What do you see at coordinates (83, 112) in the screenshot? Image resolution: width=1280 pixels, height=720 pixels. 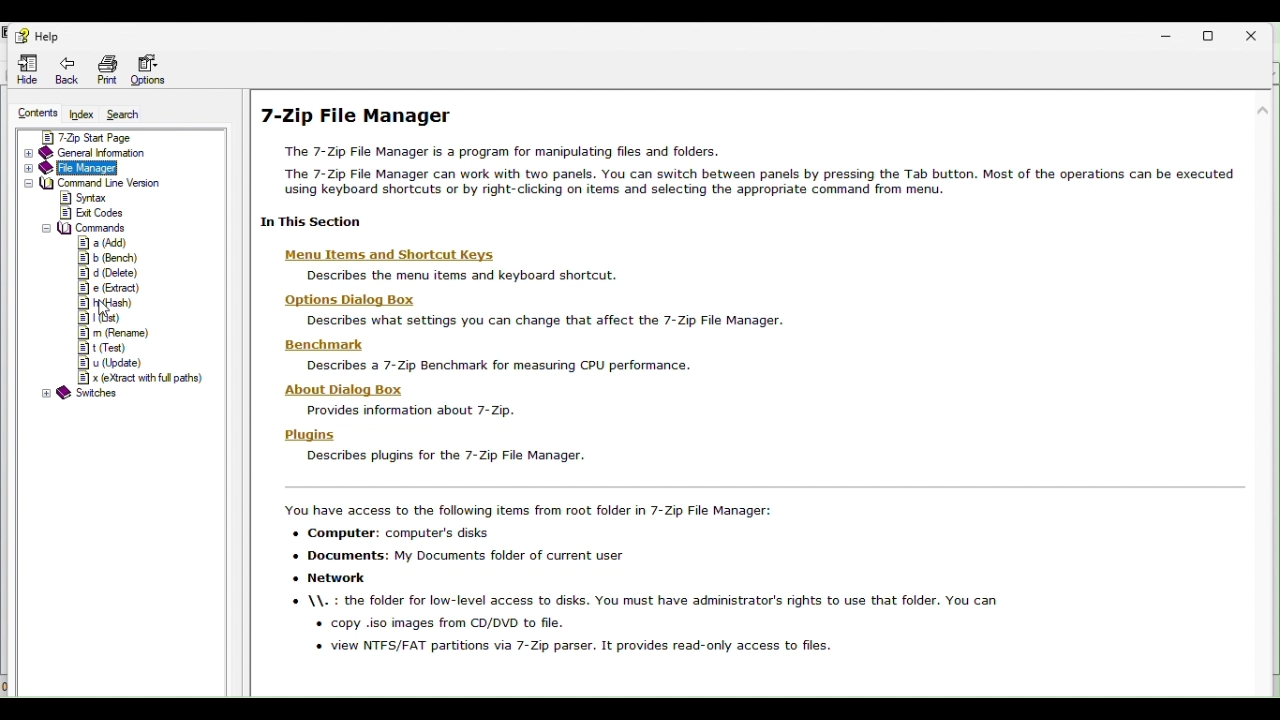 I see `Index` at bounding box center [83, 112].